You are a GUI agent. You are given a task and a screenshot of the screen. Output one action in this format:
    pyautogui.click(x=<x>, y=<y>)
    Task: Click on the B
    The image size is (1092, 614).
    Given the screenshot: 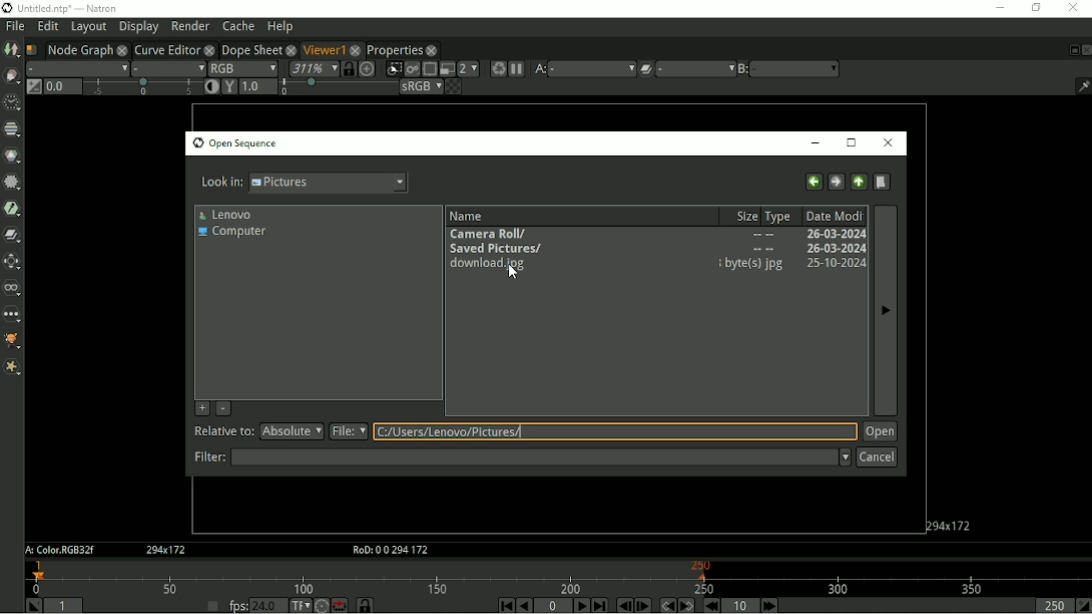 What is the action you would take?
    pyautogui.click(x=742, y=69)
    